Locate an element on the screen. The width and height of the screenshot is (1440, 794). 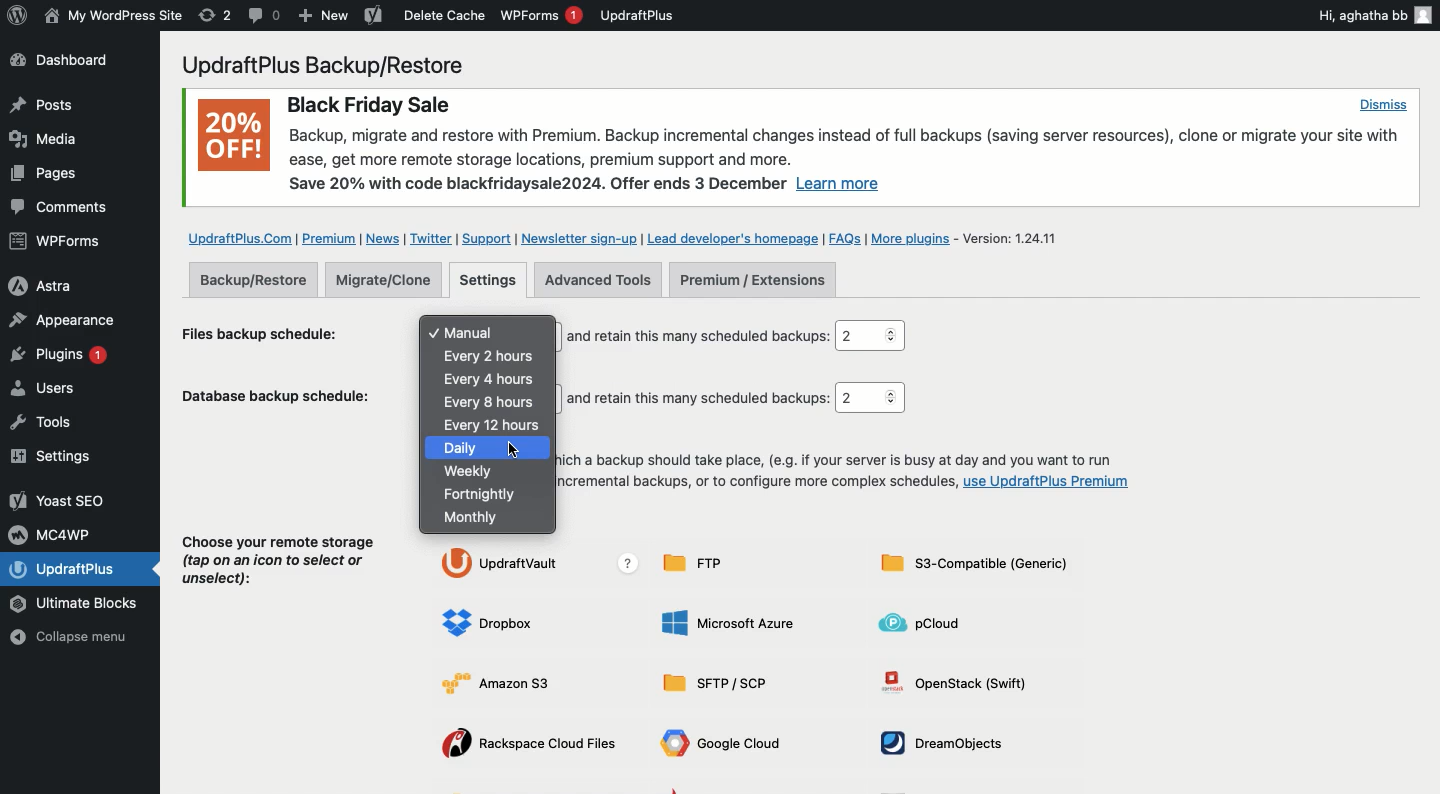
Dismiss is located at coordinates (1382, 104).